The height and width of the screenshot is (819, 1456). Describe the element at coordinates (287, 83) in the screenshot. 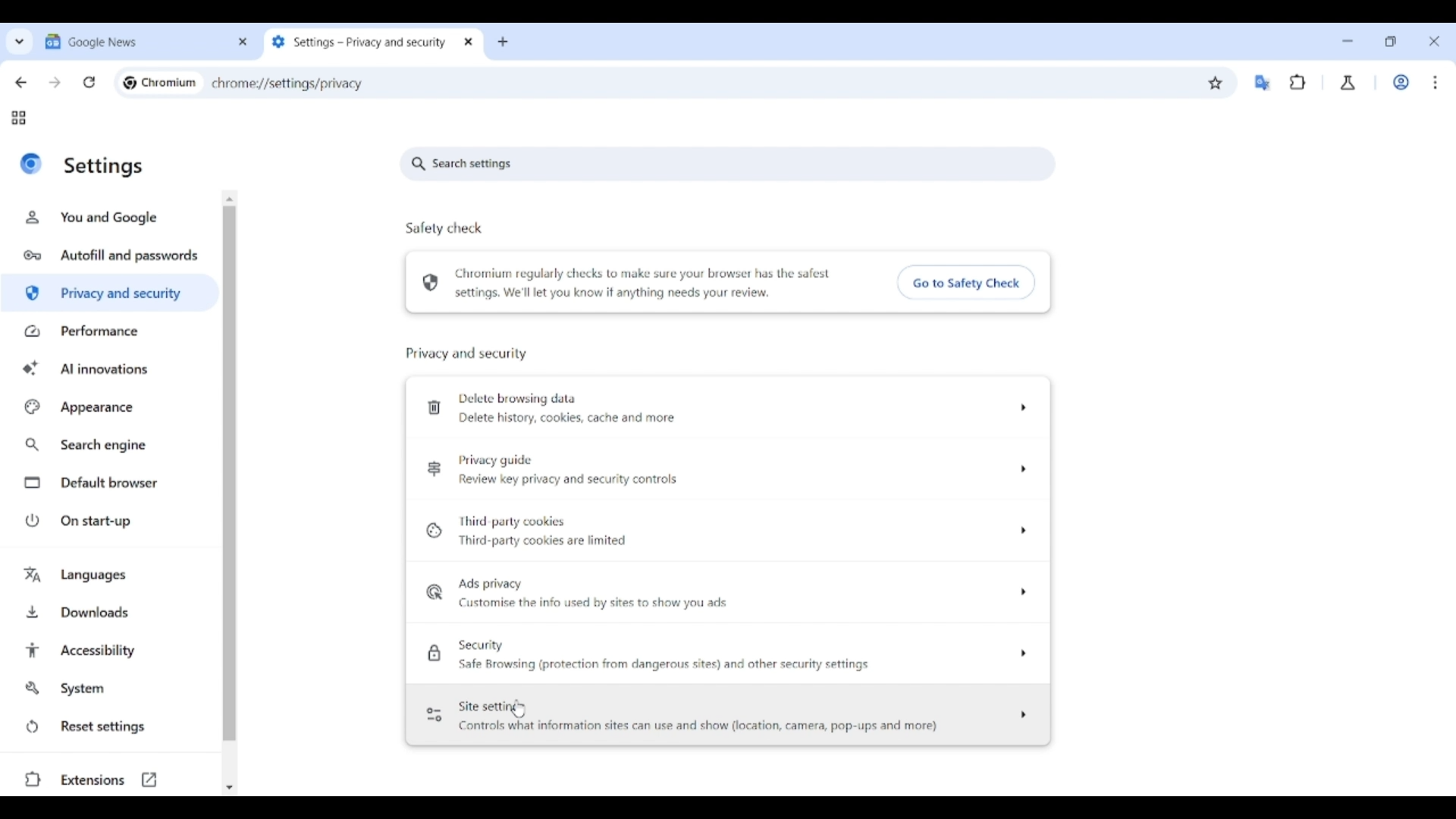

I see `chrome://settings/privacy` at that location.